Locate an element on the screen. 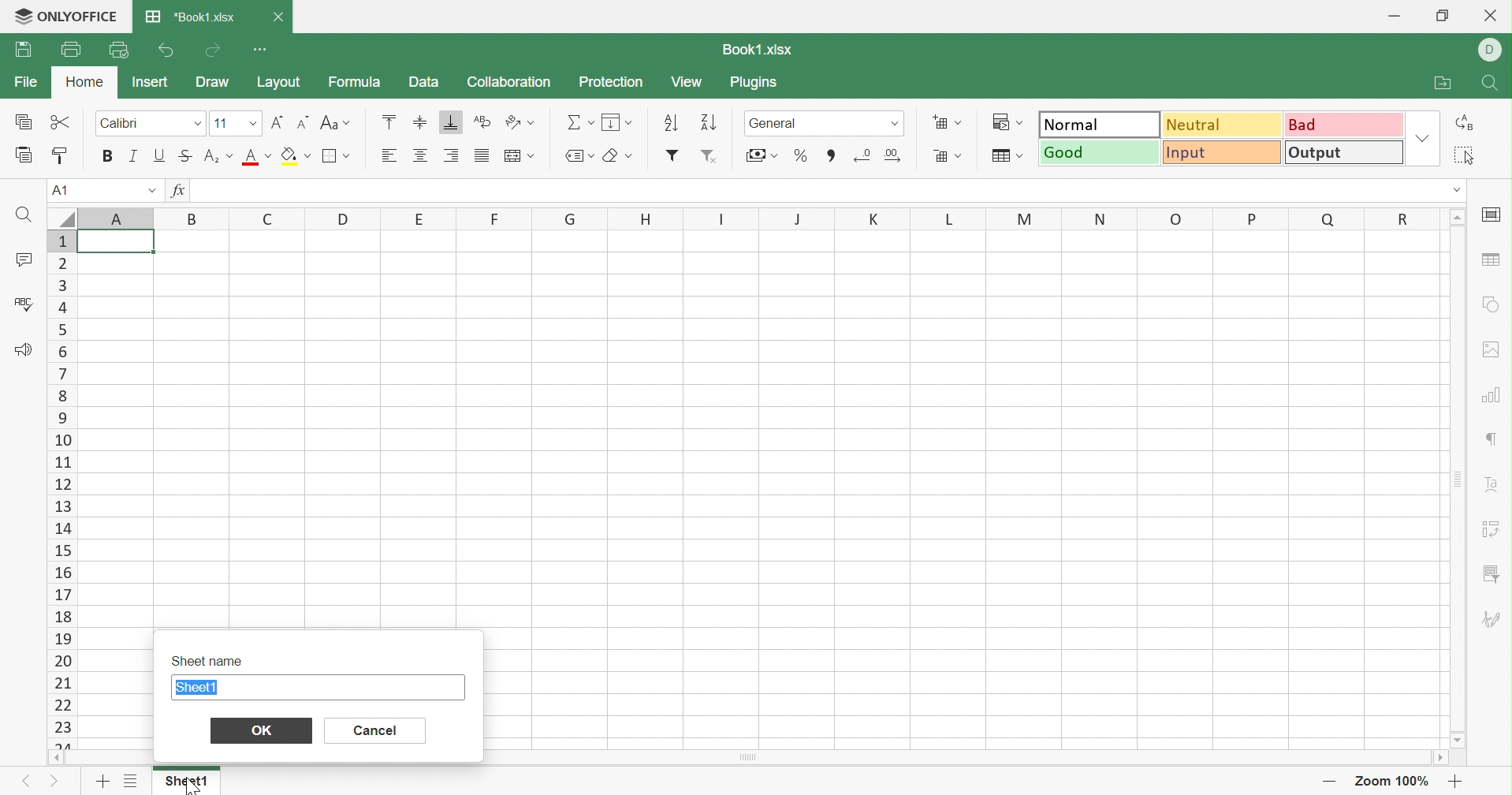  Row Numbers is located at coordinates (63, 490).